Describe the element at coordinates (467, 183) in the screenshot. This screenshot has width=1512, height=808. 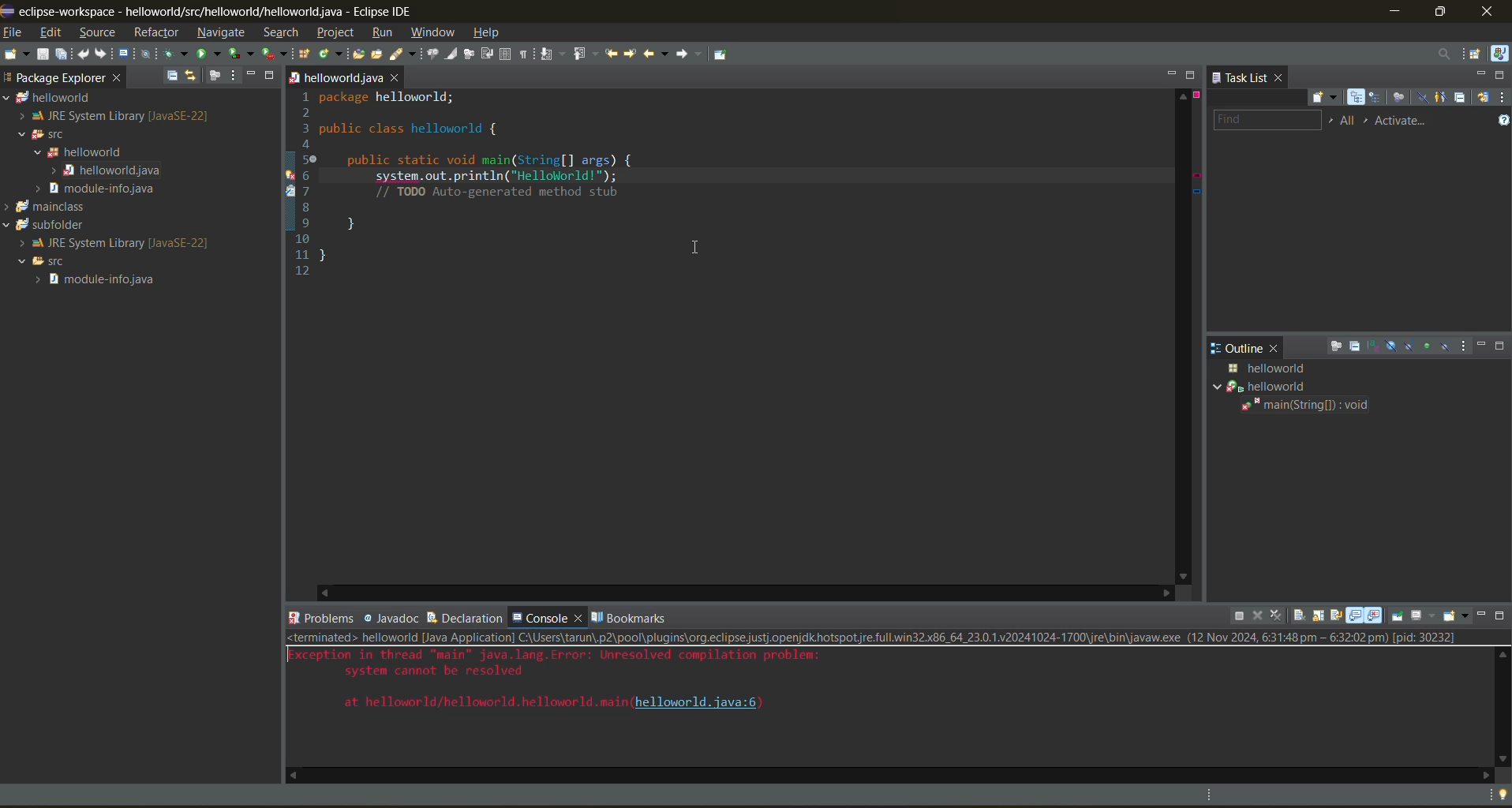
I see `1 package helloworld;

2

3 public class helloworld {

4

Se public static void main(String[] args) {
6 system. out.println(“Helloliorld!");
7 // TODO Auto-generated method stub
8

9 1

10

1 }

12` at that location.